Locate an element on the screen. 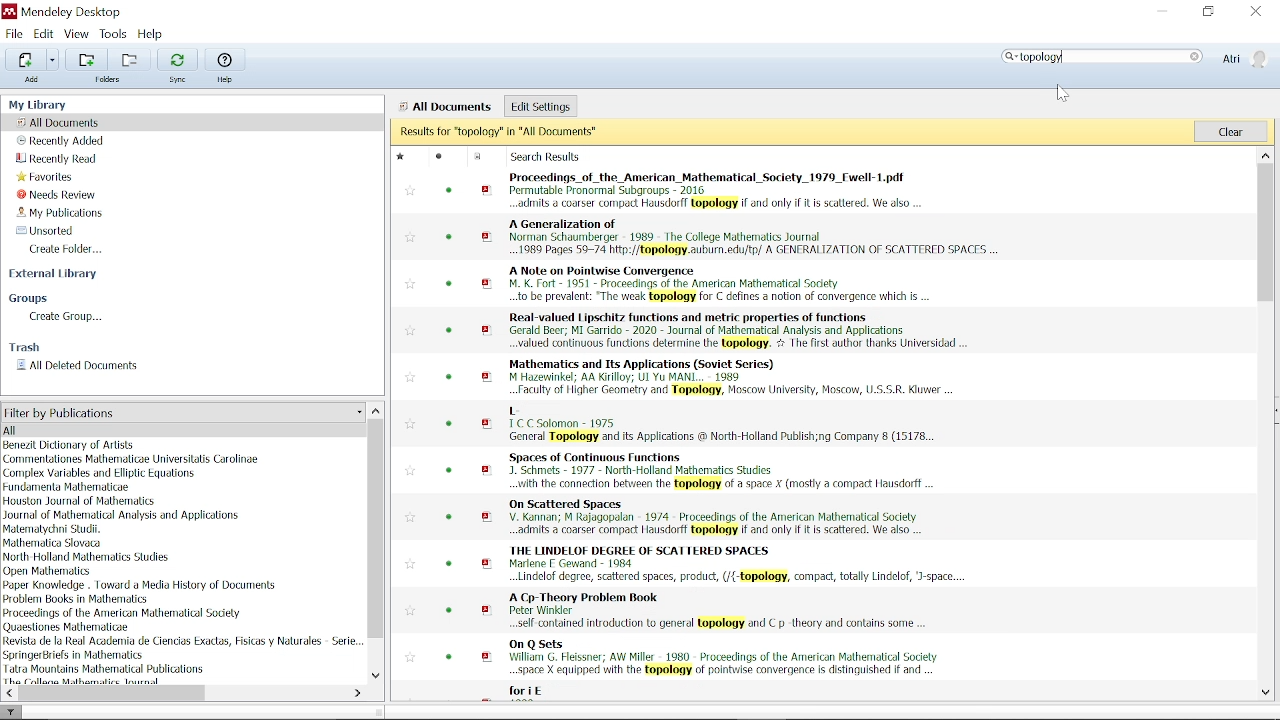 The height and width of the screenshot is (720, 1280). Clear is located at coordinates (1230, 130).